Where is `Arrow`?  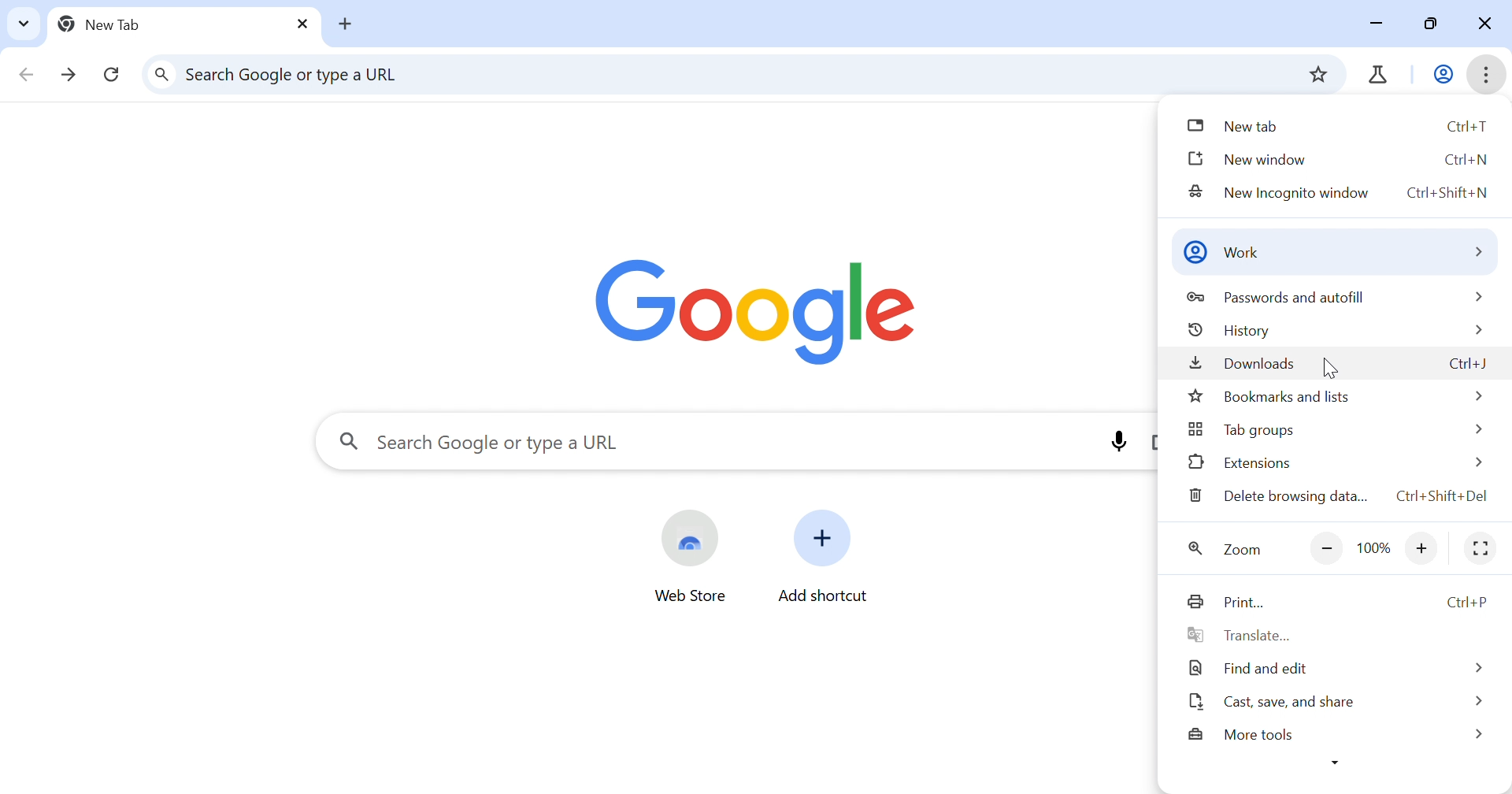
Arrow is located at coordinates (1475, 463).